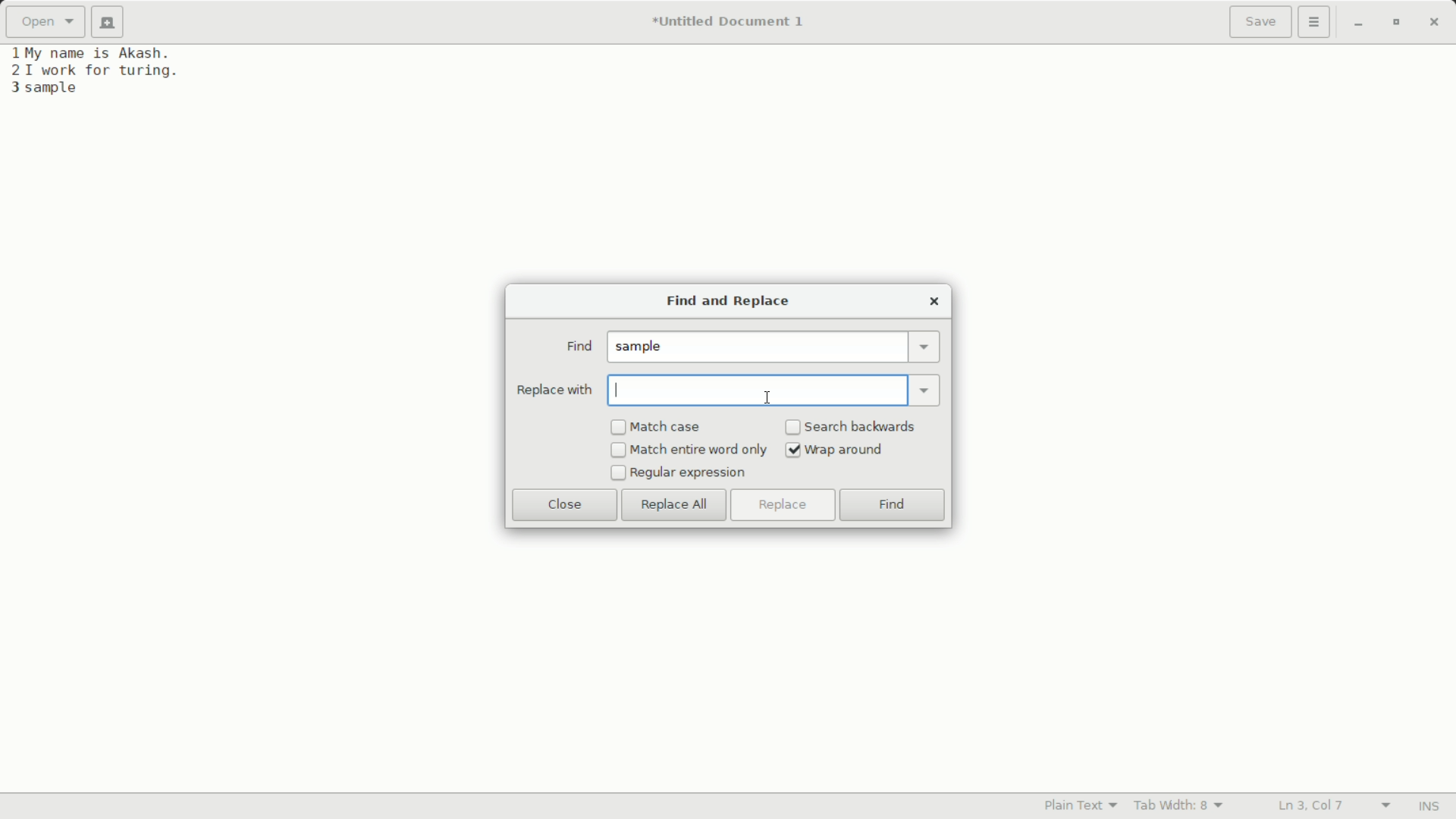 This screenshot has height=819, width=1456. What do you see at coordinates (565, 504) in the screenshot?
I see `close` at bounding box center [565, 504].